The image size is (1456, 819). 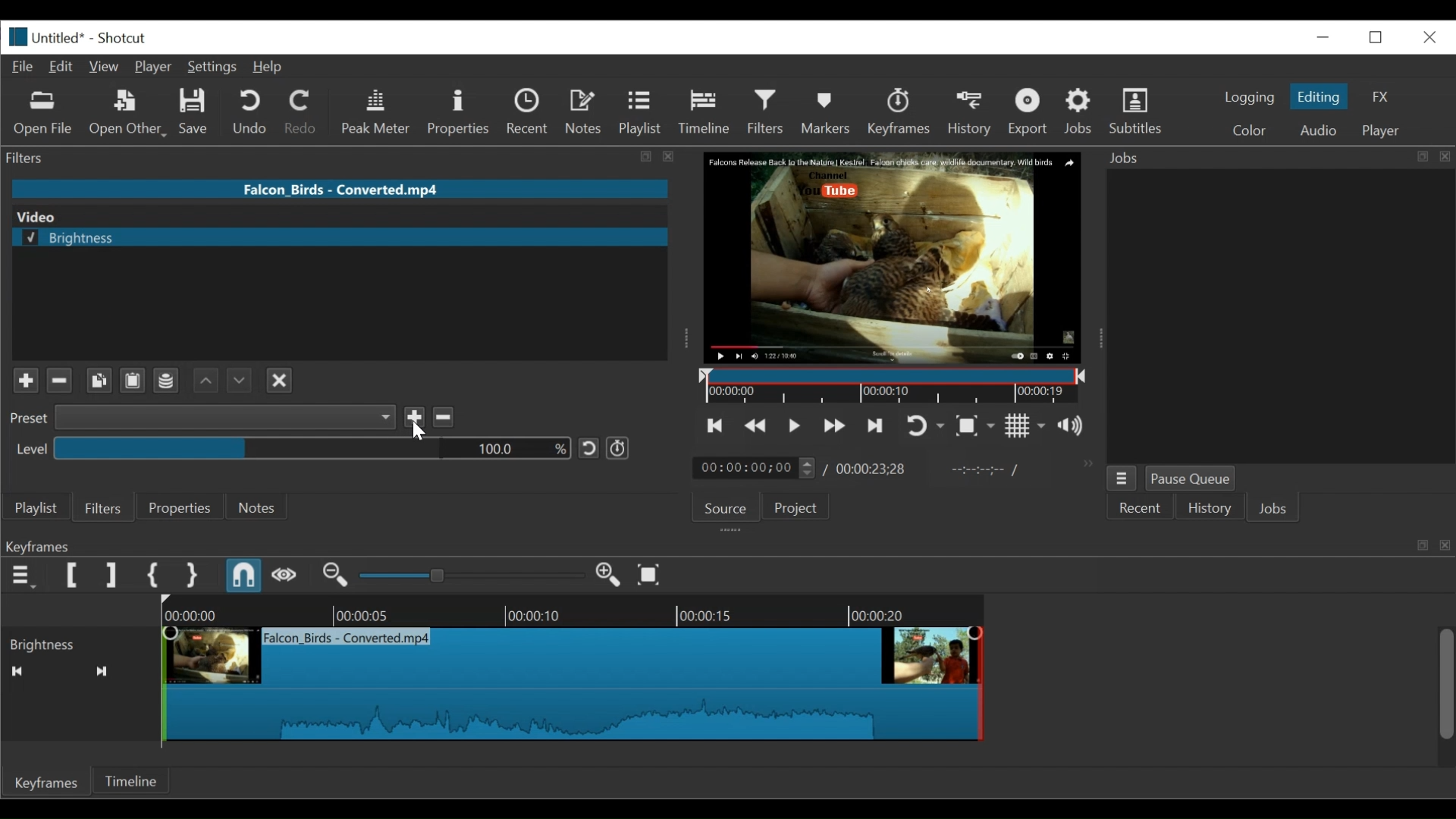 I want to click on Export, so click(x=1029, y=112).